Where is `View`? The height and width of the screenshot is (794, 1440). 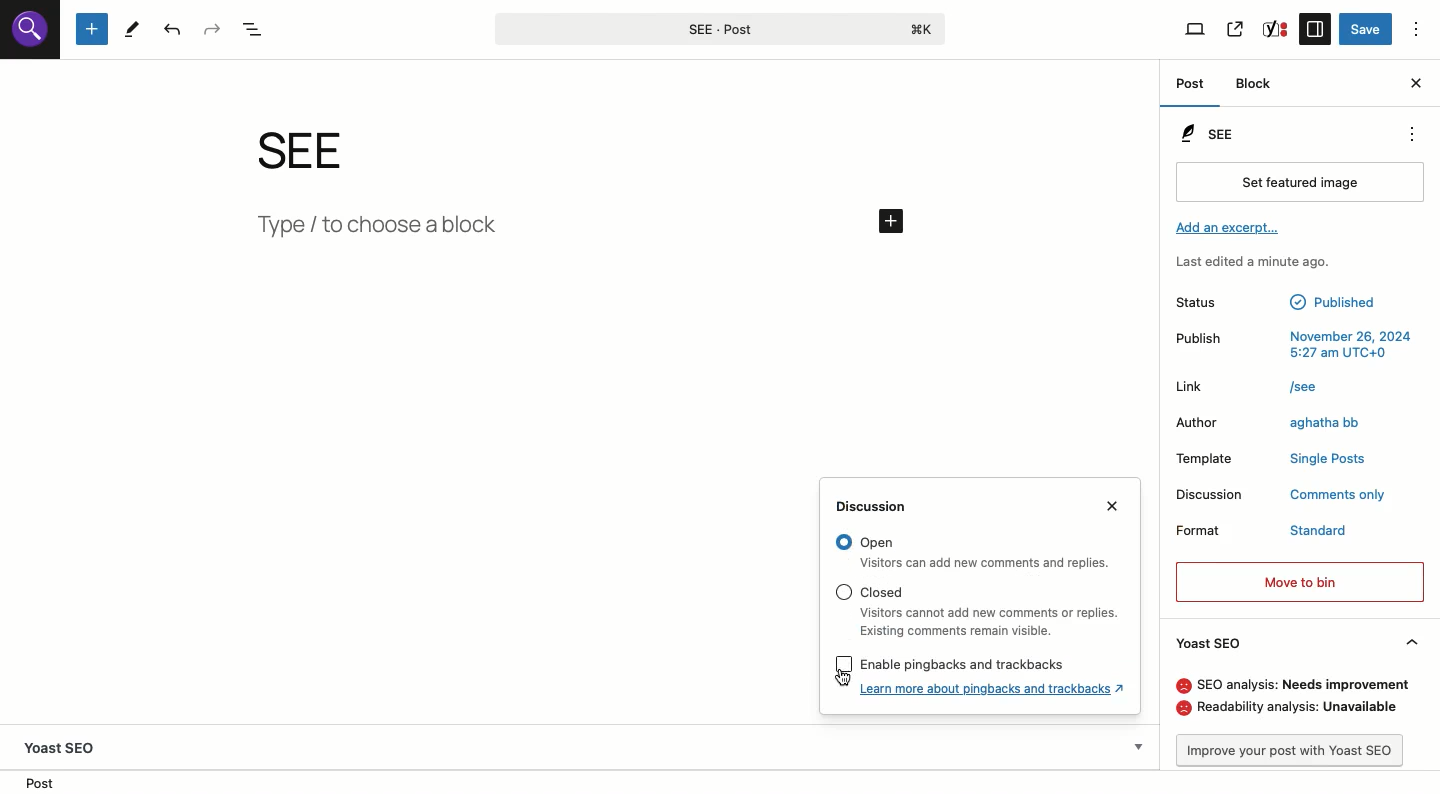
View is located at coordinates (1196, 30).